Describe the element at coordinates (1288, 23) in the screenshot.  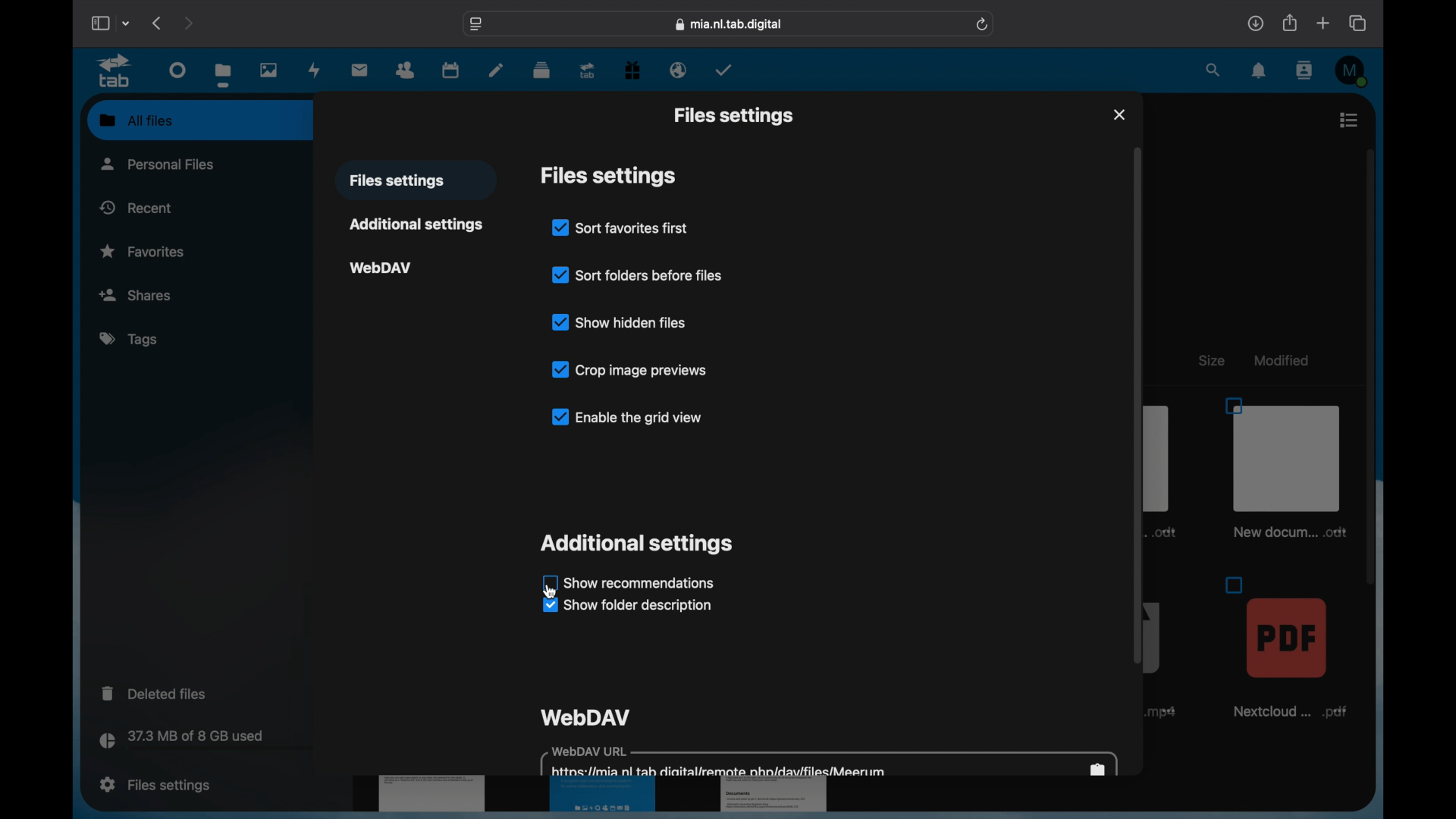
I see `share` at that location.